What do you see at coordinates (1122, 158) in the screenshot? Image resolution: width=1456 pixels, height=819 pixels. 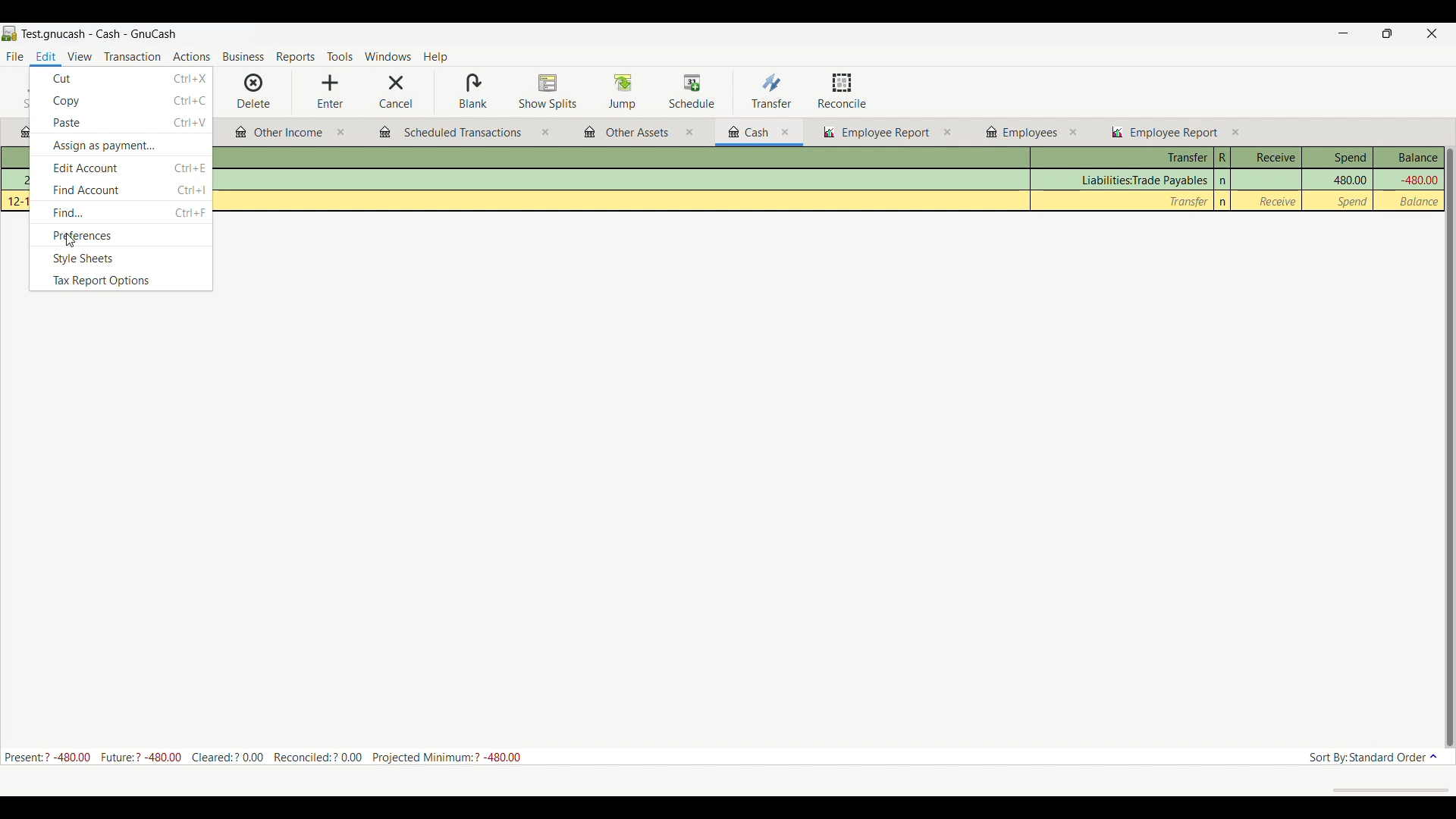 I see `Transfer column` at bounding box center [1122, 158].